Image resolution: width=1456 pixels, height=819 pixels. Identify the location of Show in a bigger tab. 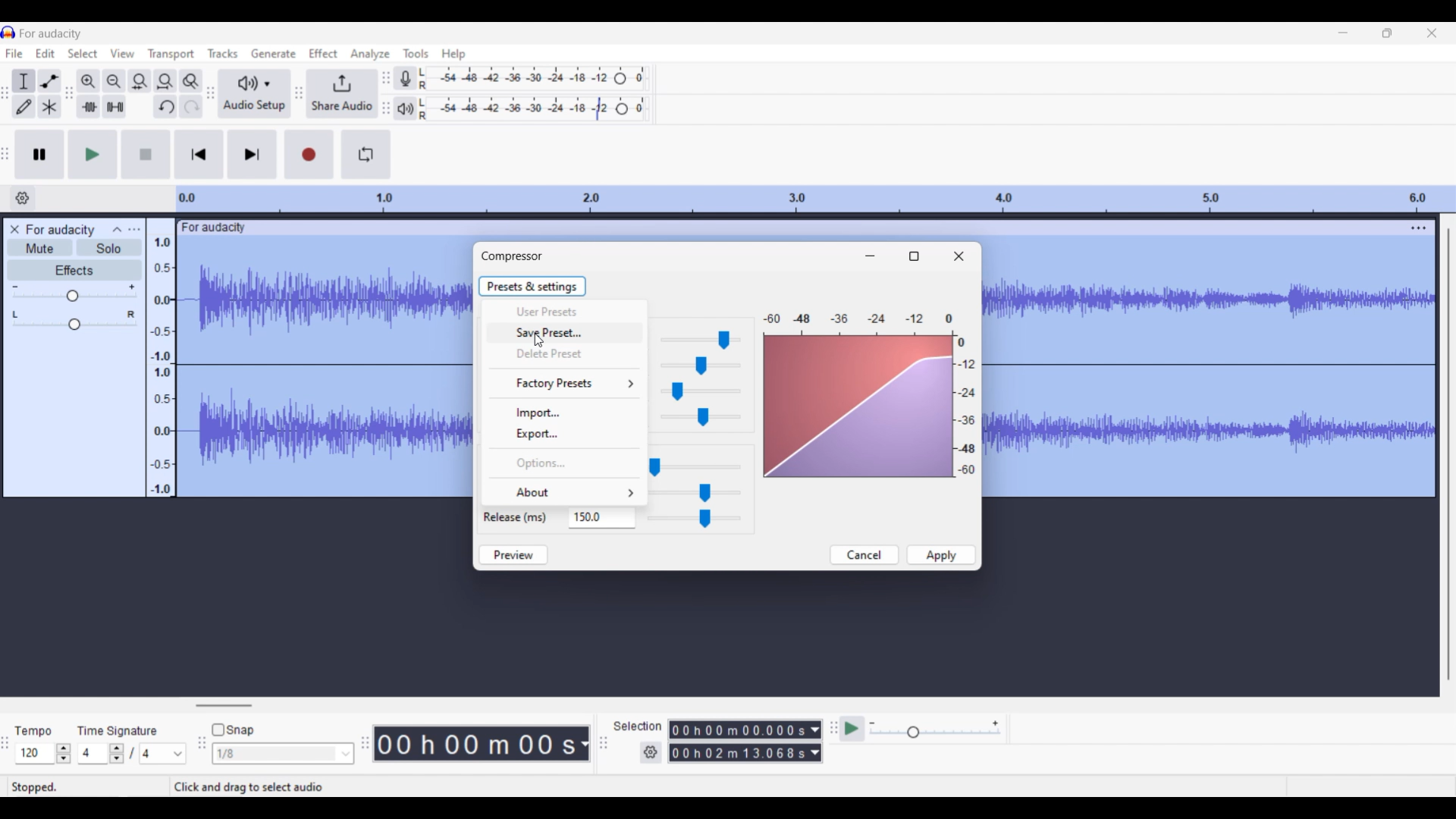
(913, 256).